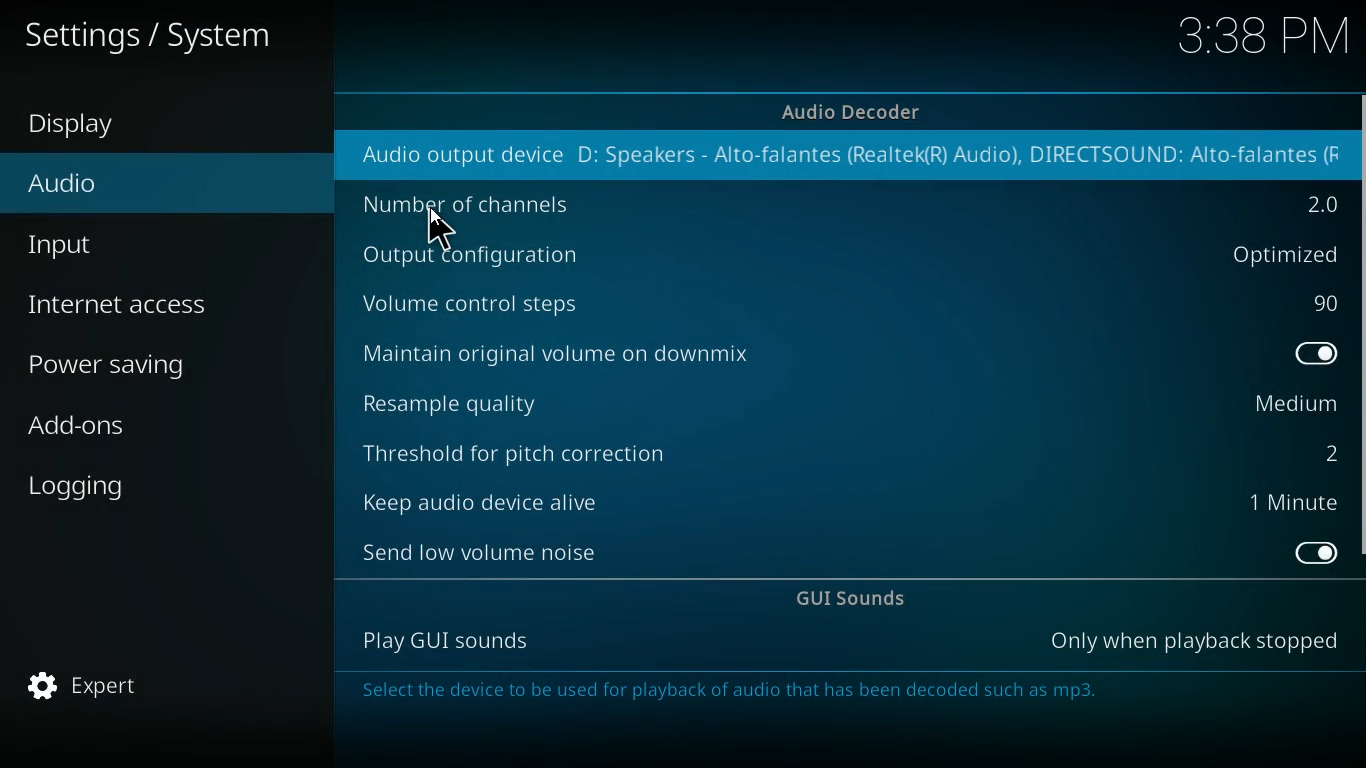 Image resolution: width=1366 pixels, height=768 pixels. Describe the element at coordinates (749, 693) in the screenshot. I see `this category contains the setting for how audio output is handled` at that location.